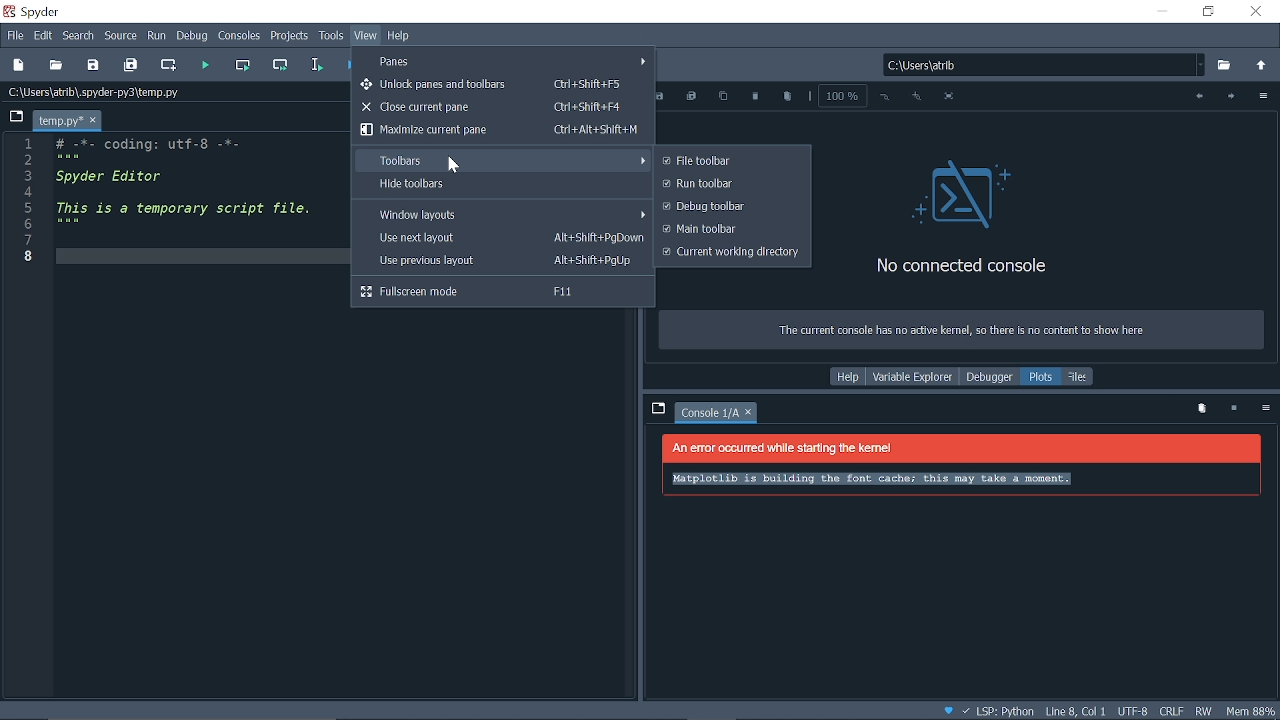 This screenshot has height=720, width=1280. Describe the element at coordinates (787, 98) in the screenshot. I see `Remove all plots` at that location.